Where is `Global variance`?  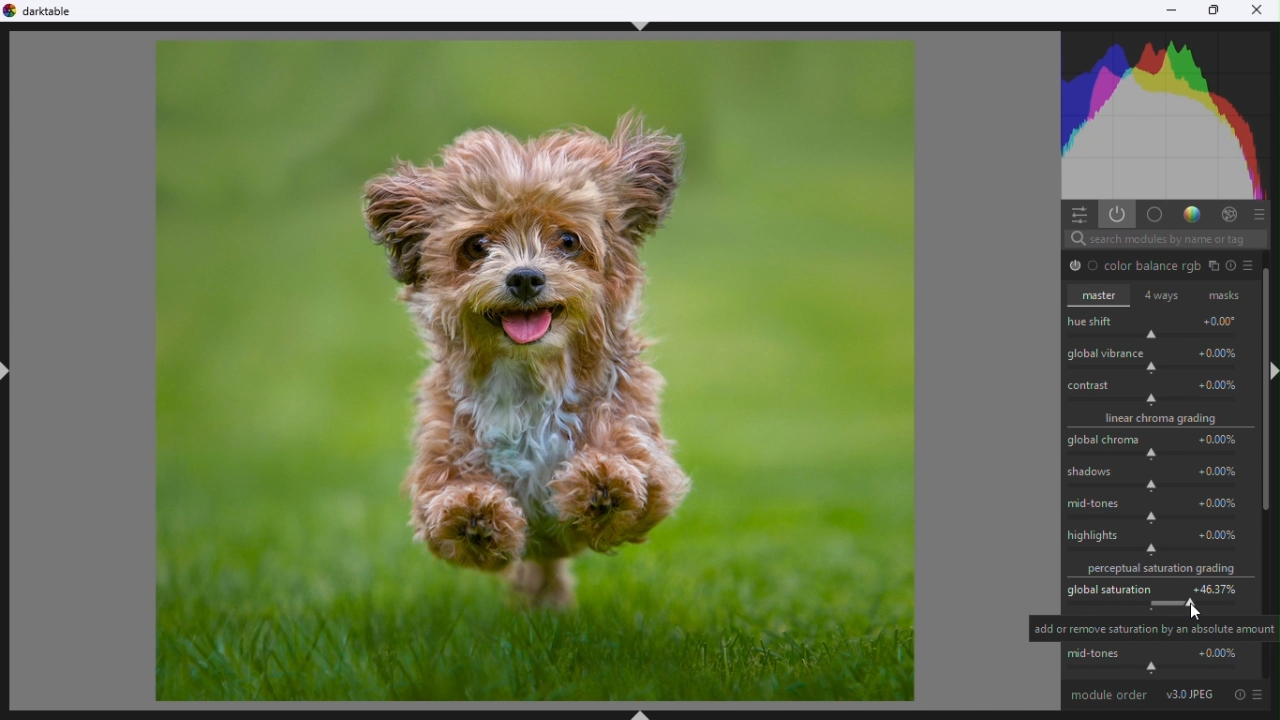 Global variance is located at coordinates (1158, 360).